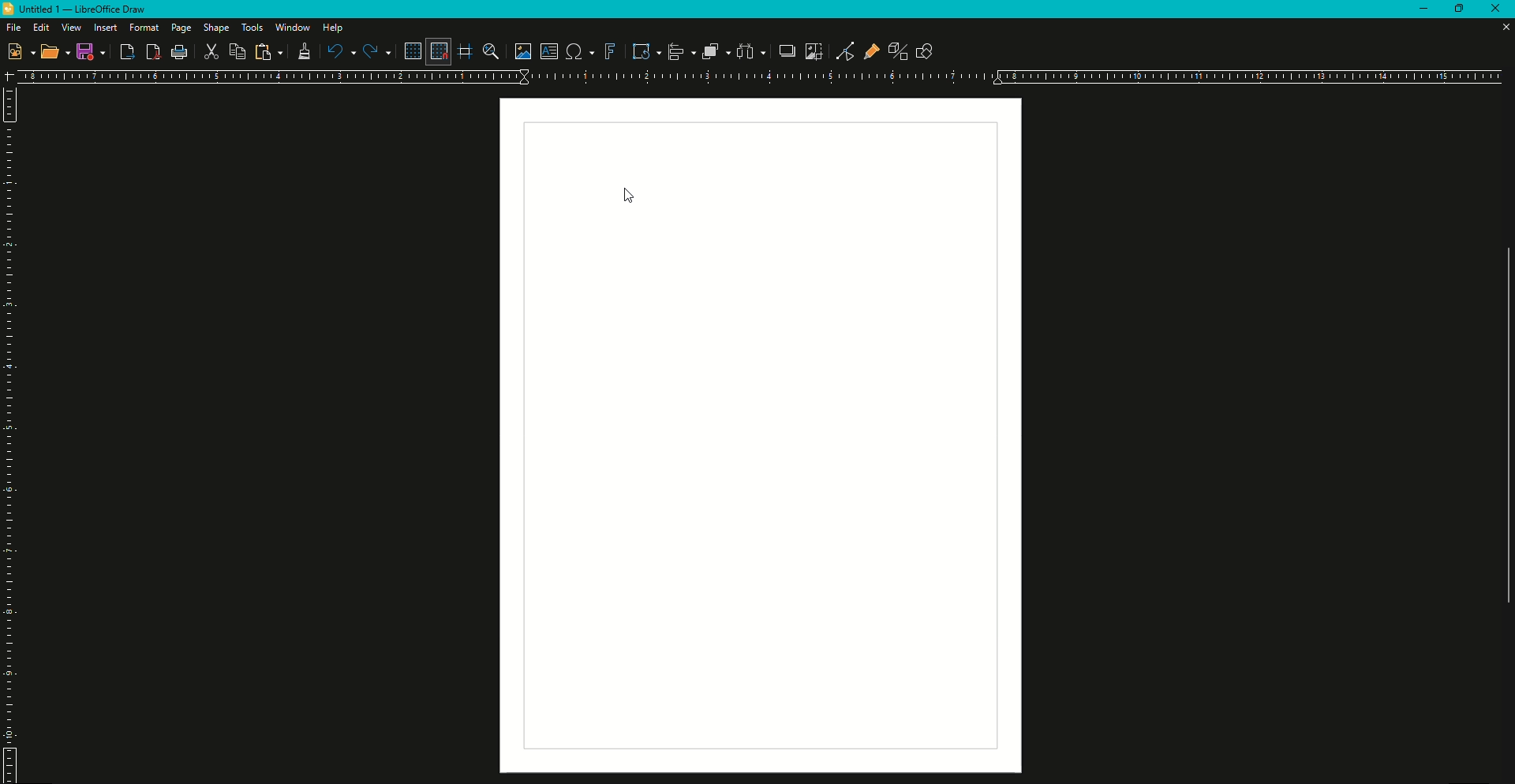  What do you see at coordinates (54, 54) in the screenshot?
I see `Open` at bounding box center [54, 54].